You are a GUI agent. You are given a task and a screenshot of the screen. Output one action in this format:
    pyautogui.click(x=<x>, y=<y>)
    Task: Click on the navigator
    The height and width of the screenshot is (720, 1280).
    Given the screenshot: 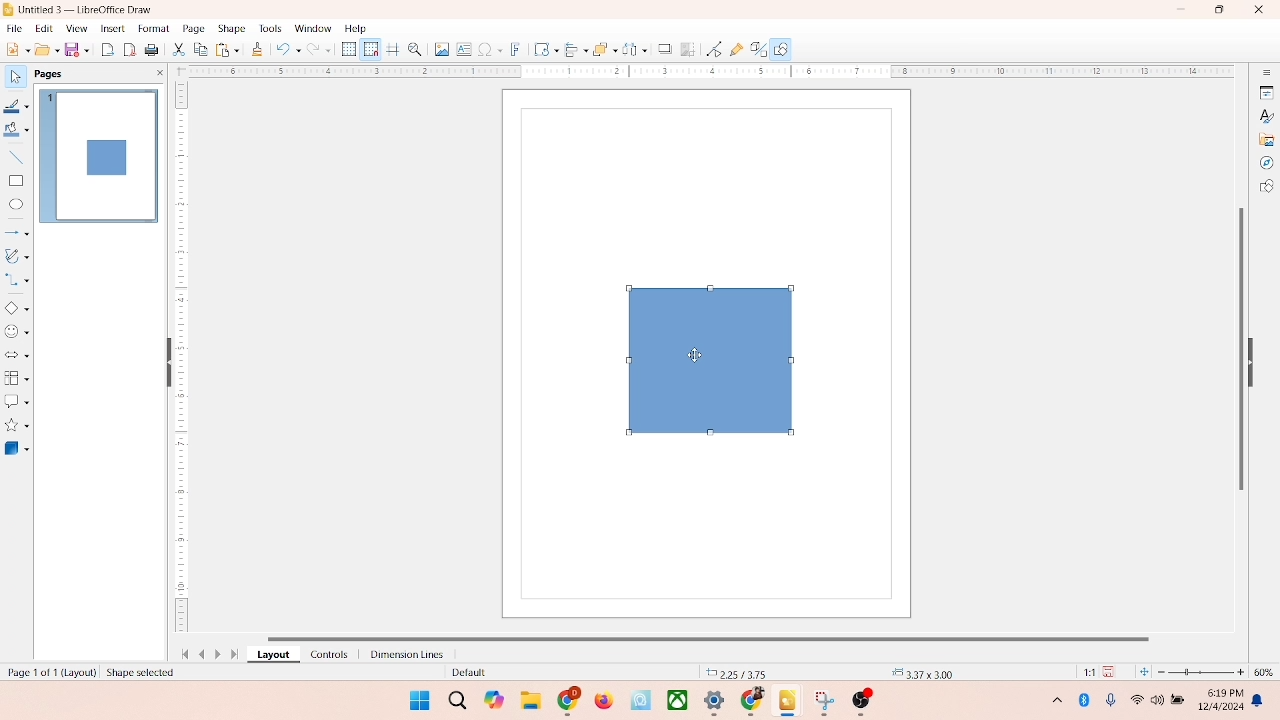 What is the action you would take?
    pyautogui.click(x=1266, y=163)
    